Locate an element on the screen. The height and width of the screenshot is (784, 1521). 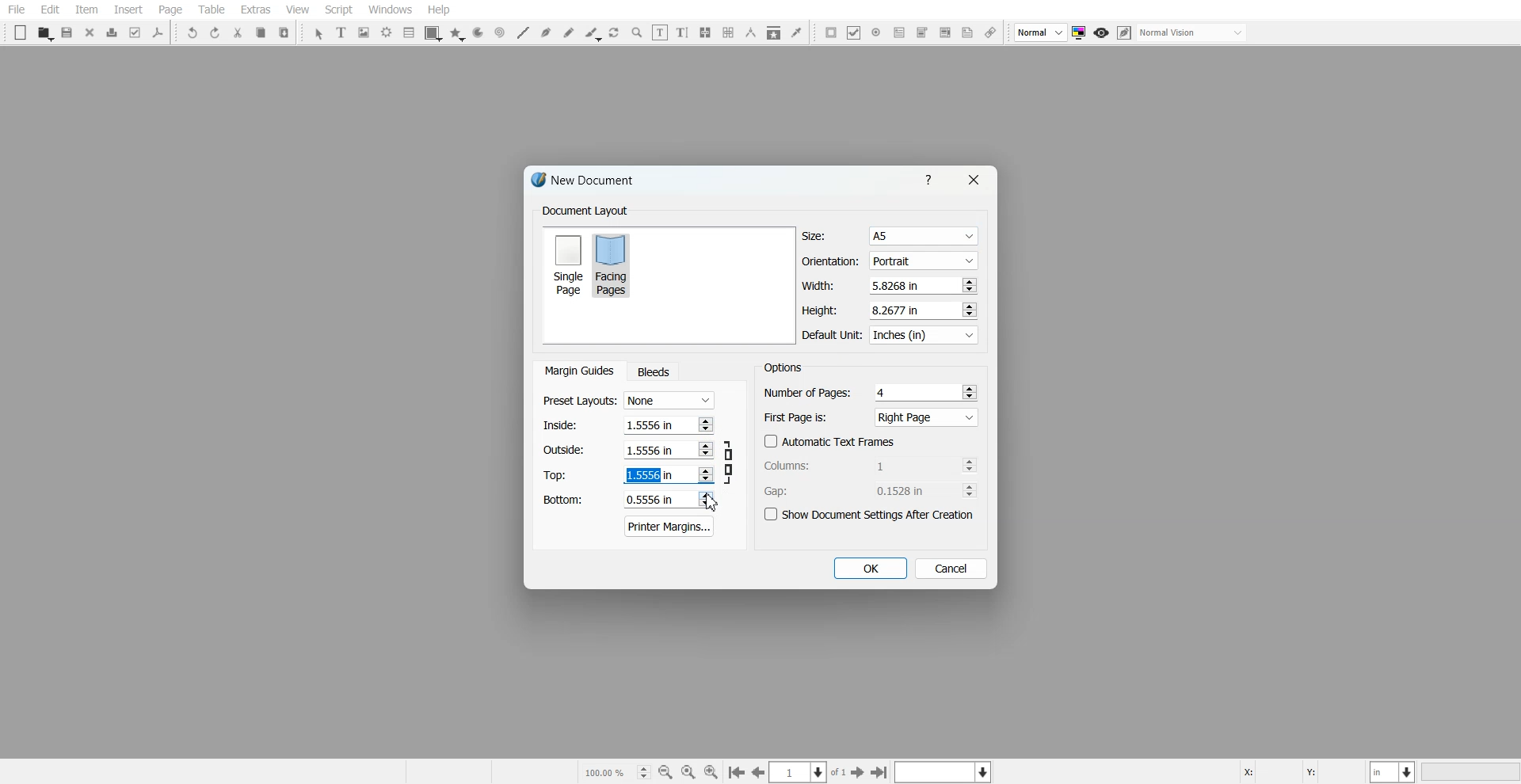
X, Y Co-ordinate is located at coordinates (1302, 771).